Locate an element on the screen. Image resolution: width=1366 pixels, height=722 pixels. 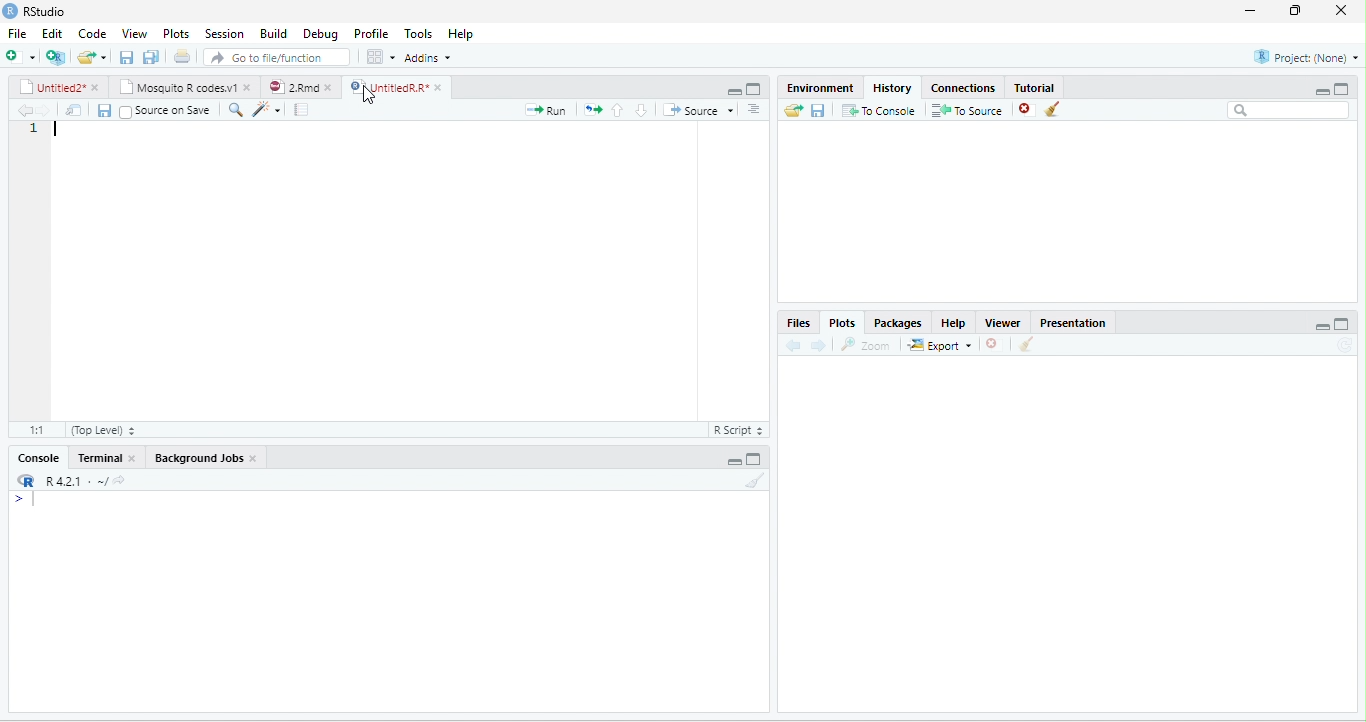
export is located at coordinates (940, 347).